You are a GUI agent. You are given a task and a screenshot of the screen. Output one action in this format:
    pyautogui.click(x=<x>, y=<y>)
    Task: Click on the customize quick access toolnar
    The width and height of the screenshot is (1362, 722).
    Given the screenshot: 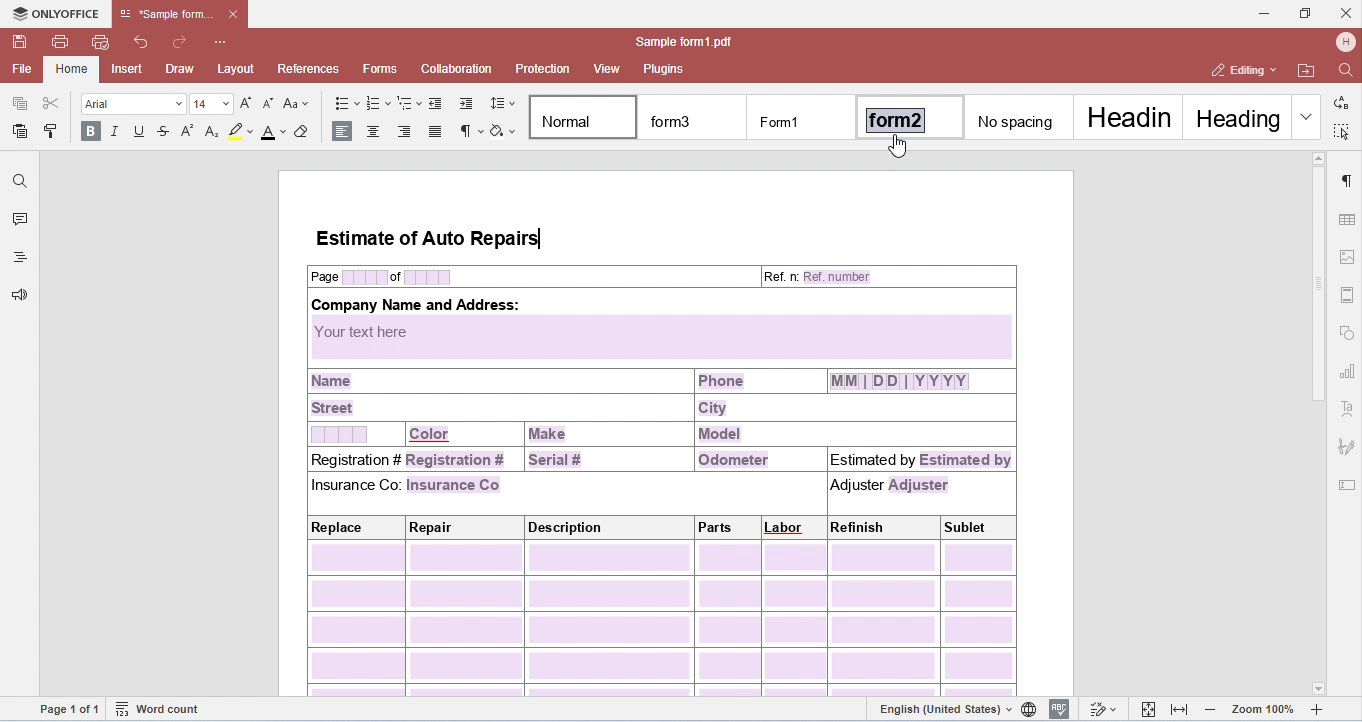 What is the action you would take?
    pyautogui.click(x=222, y=41)
    